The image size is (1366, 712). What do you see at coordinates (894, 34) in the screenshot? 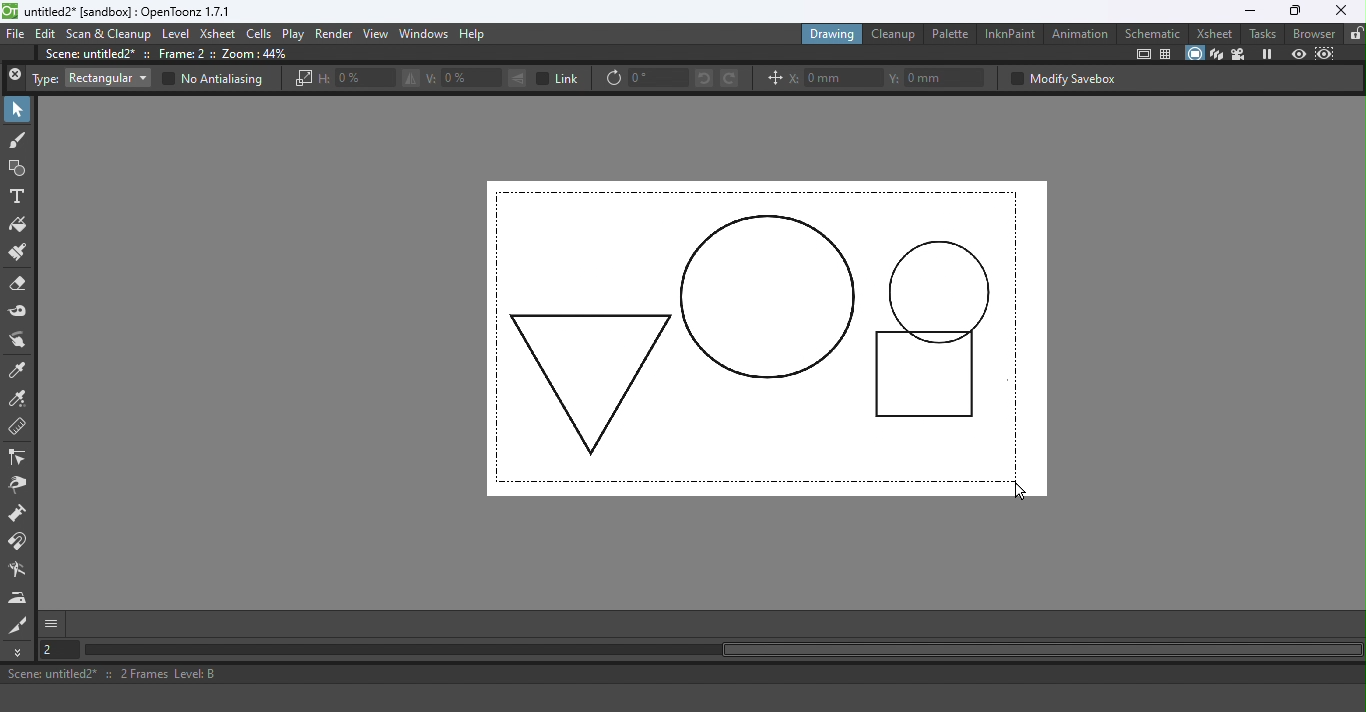
I see `Cleanup` at bounding box center [894, 34].